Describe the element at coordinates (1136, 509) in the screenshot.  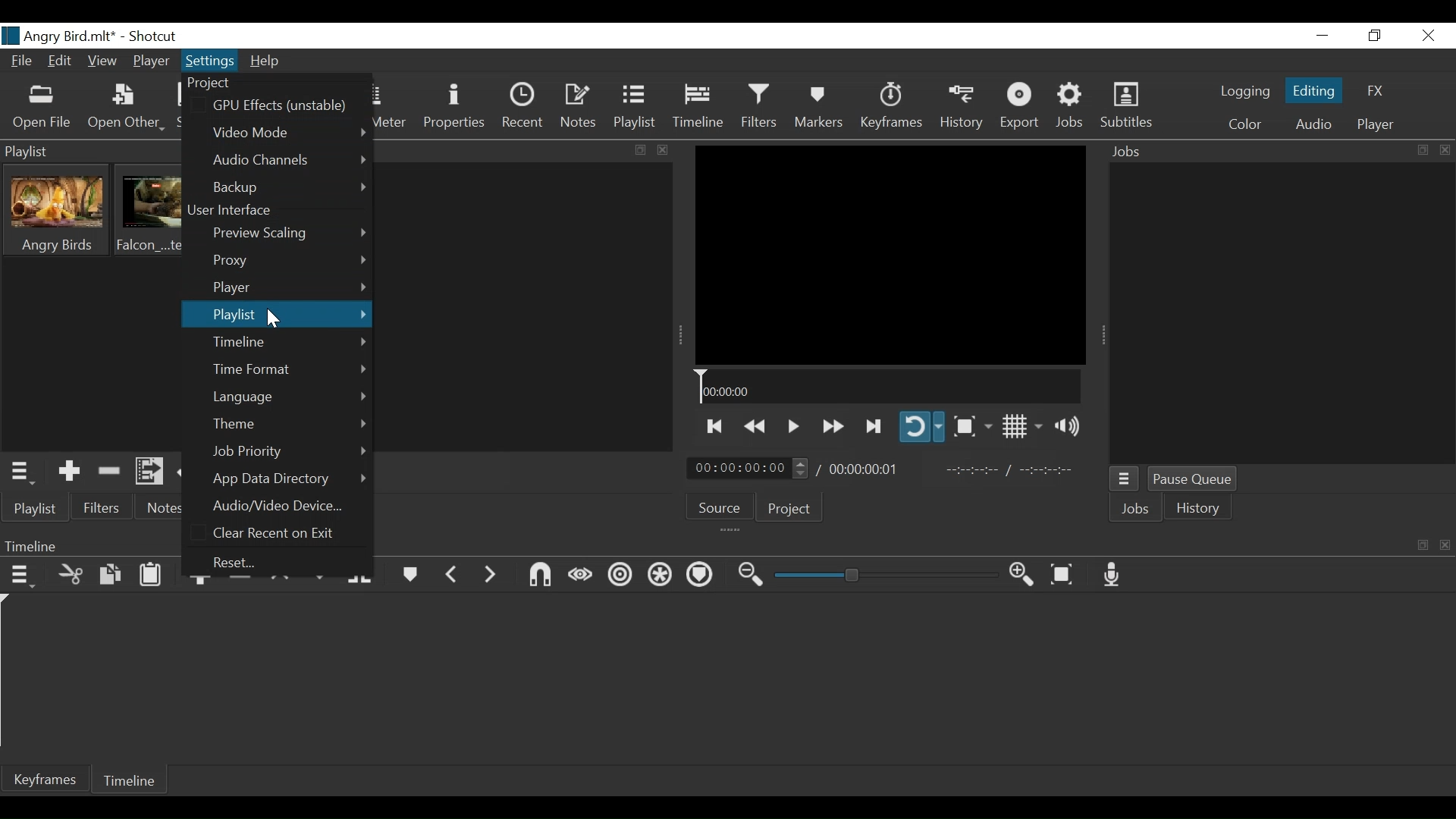
I see `Jobs` at that location.